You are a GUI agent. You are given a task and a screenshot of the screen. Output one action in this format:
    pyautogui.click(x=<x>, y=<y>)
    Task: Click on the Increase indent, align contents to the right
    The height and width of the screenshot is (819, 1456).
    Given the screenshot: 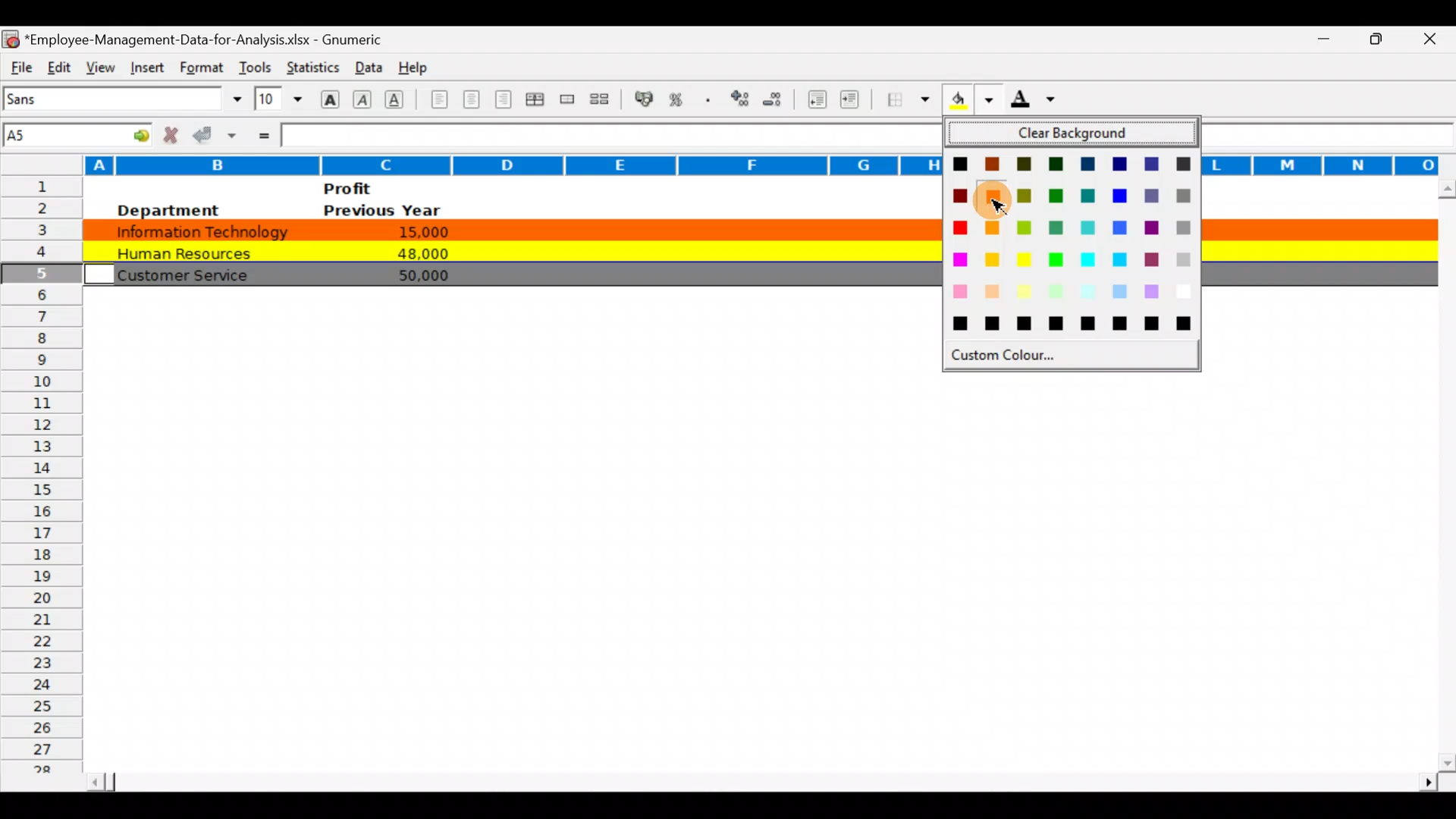 What is the action you would take?
    pyautogui.click(x=852, y=101)
    